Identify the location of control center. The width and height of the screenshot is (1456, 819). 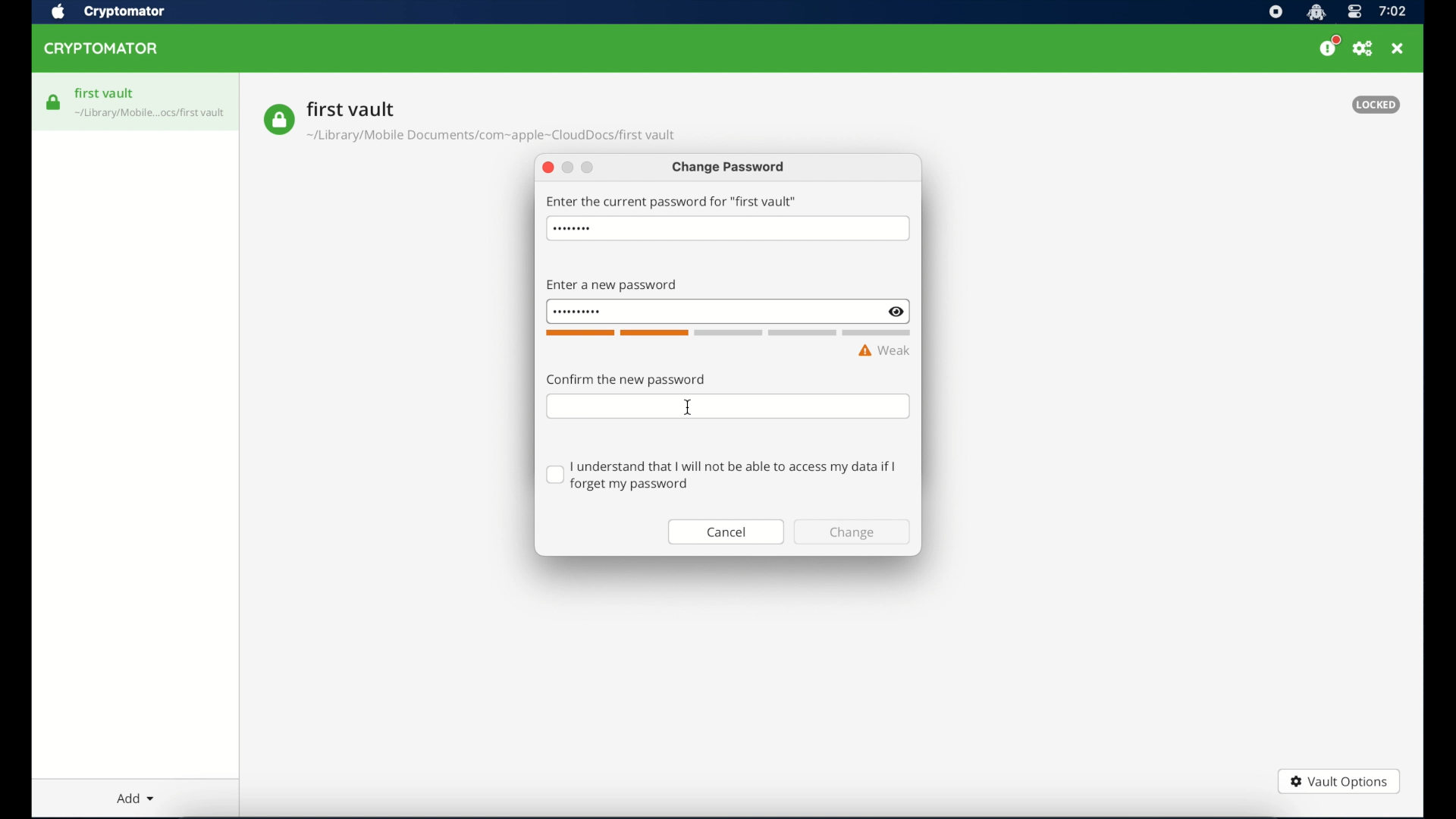
(1354, 13).